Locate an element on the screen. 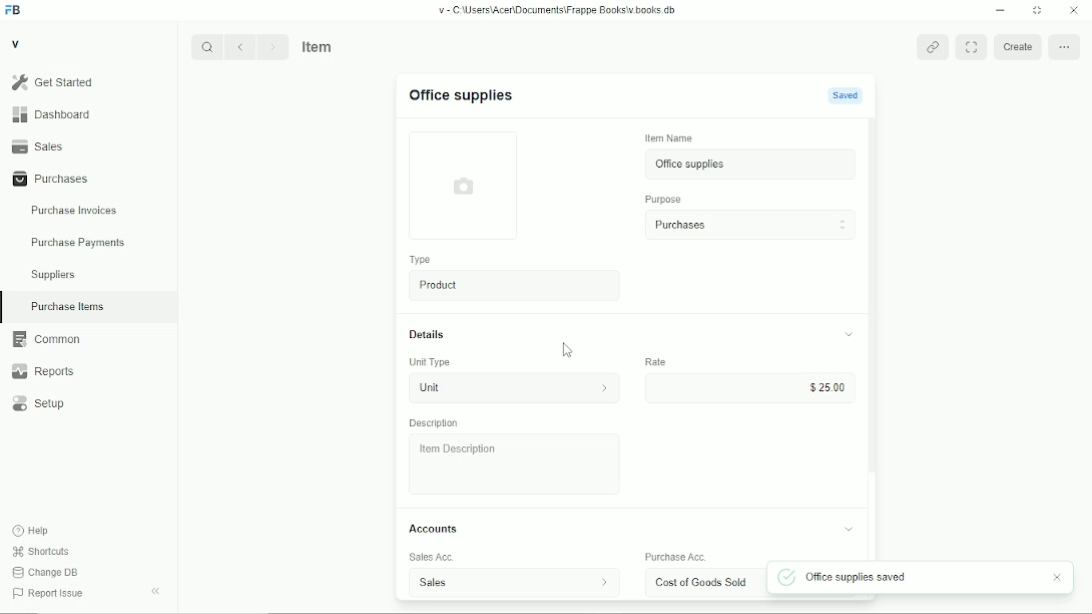 The height and width of the screenshot is (614, 1092). sales acc. is located at coordinates (432, 557).